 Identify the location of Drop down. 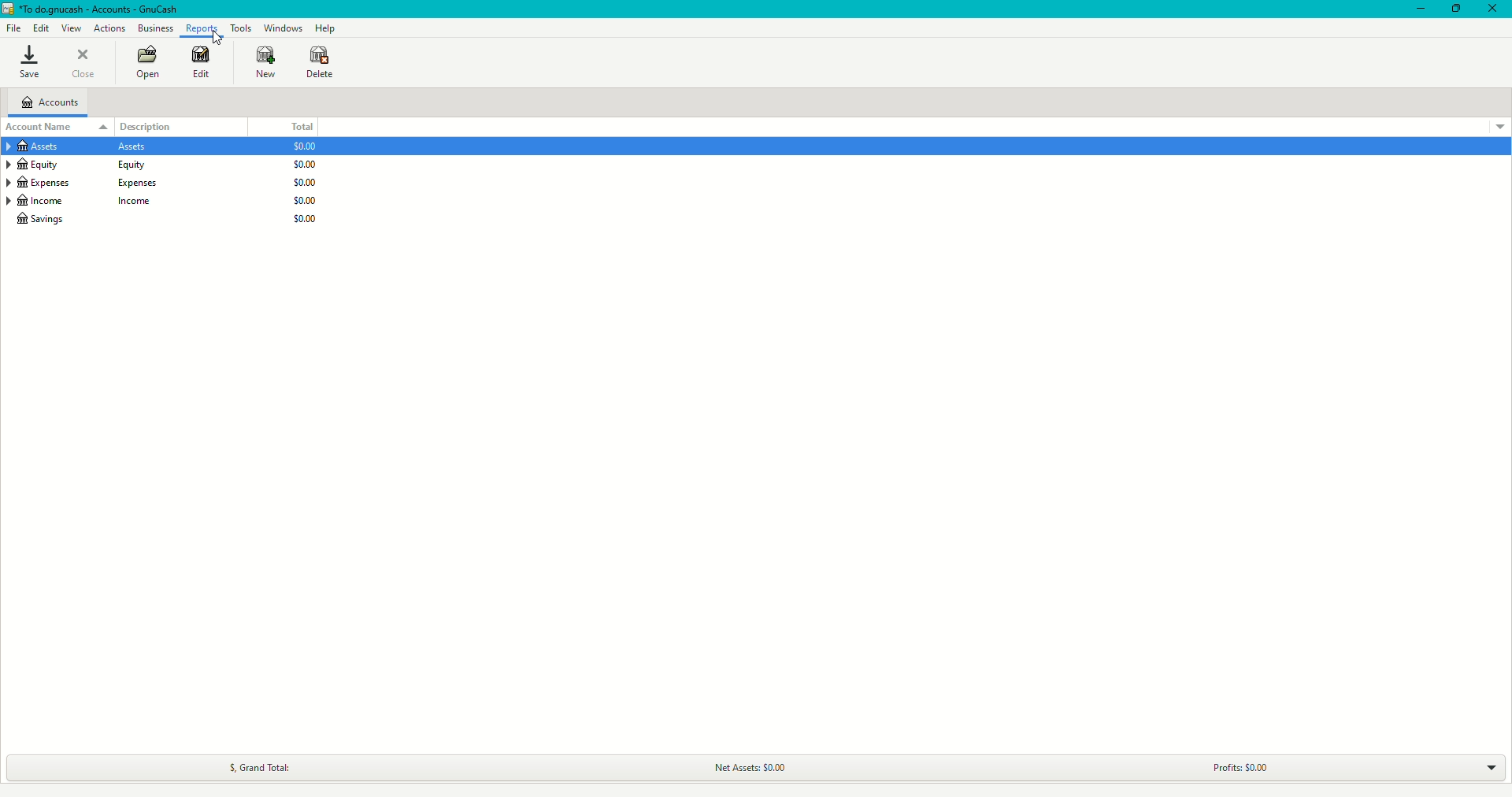
(1495, 769).